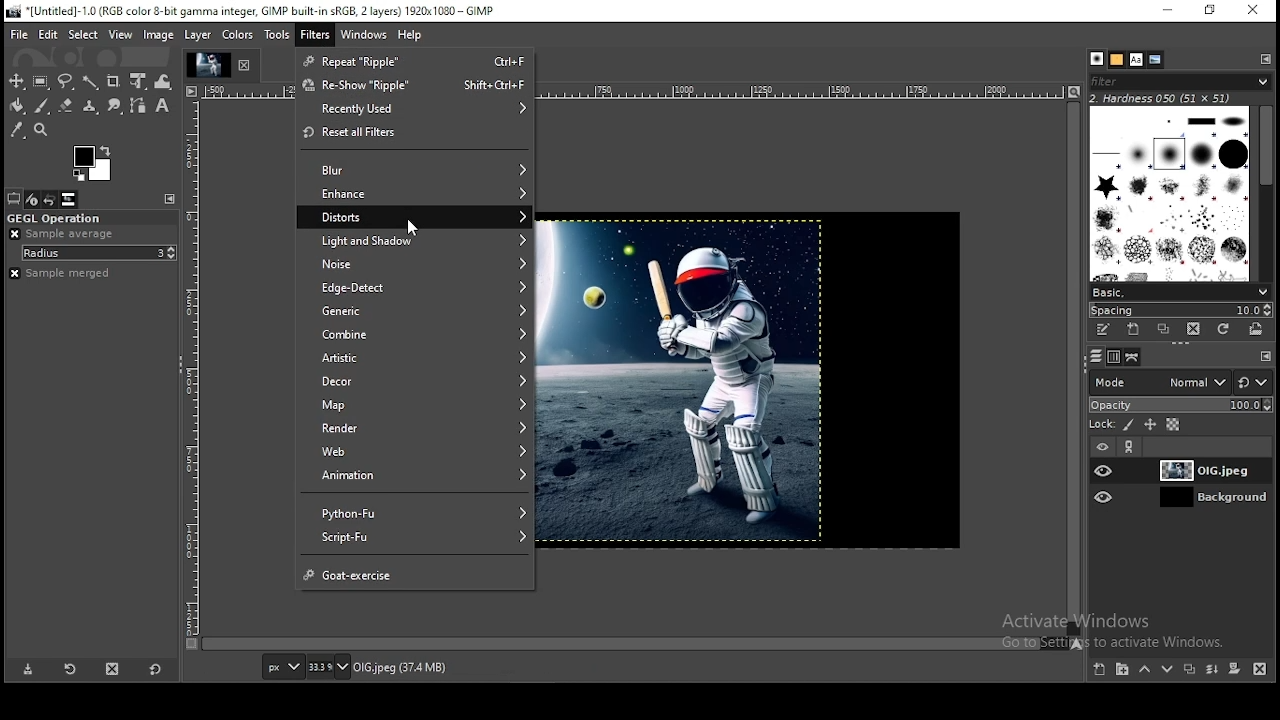 This screenshot has height=720, width=1280. Describe the element at coordinates (1105, 496) in the screenshot. I see `layer visibility` at that location.